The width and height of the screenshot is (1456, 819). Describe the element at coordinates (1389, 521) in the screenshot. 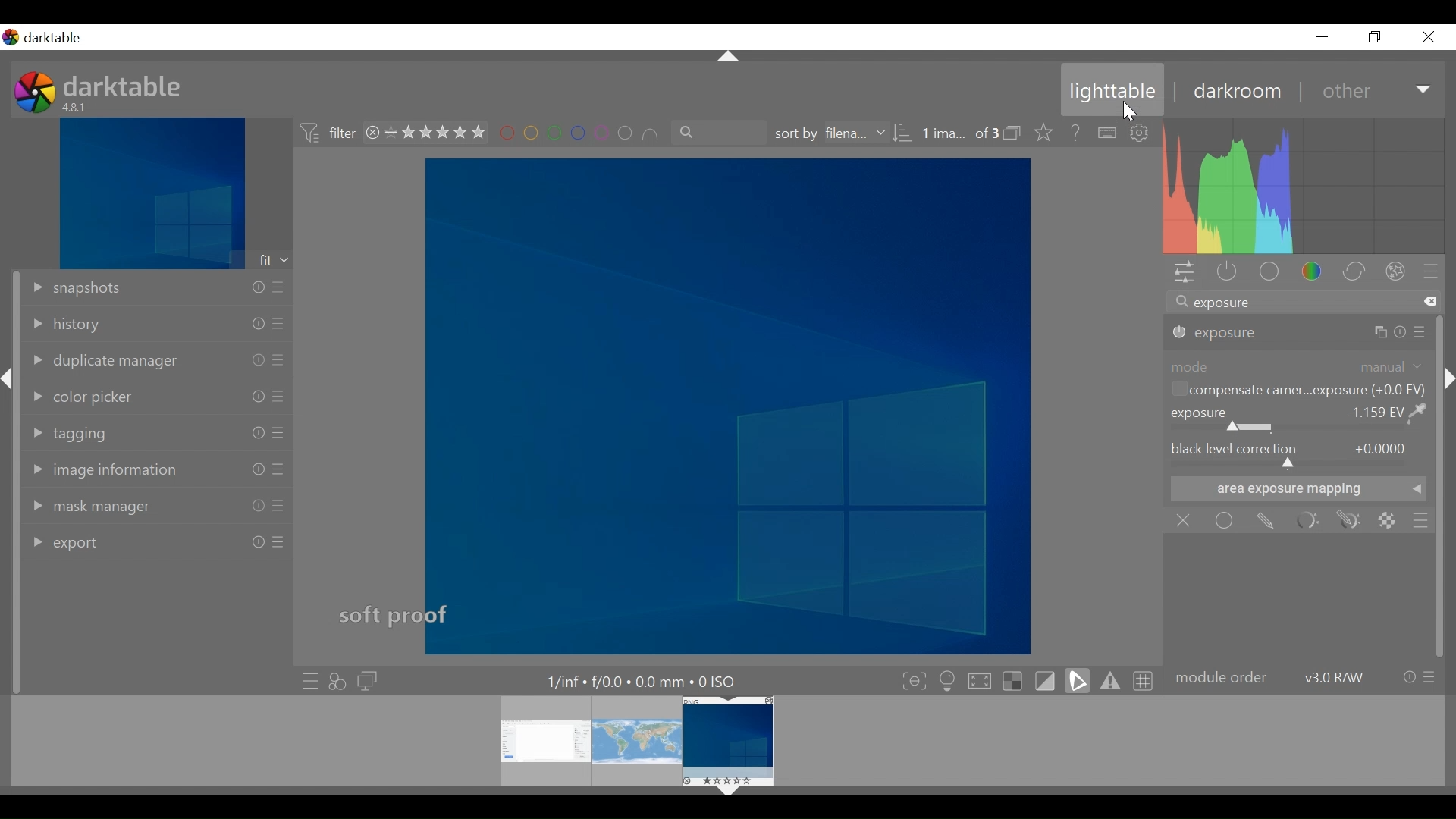

I see `raster mask` at that location.